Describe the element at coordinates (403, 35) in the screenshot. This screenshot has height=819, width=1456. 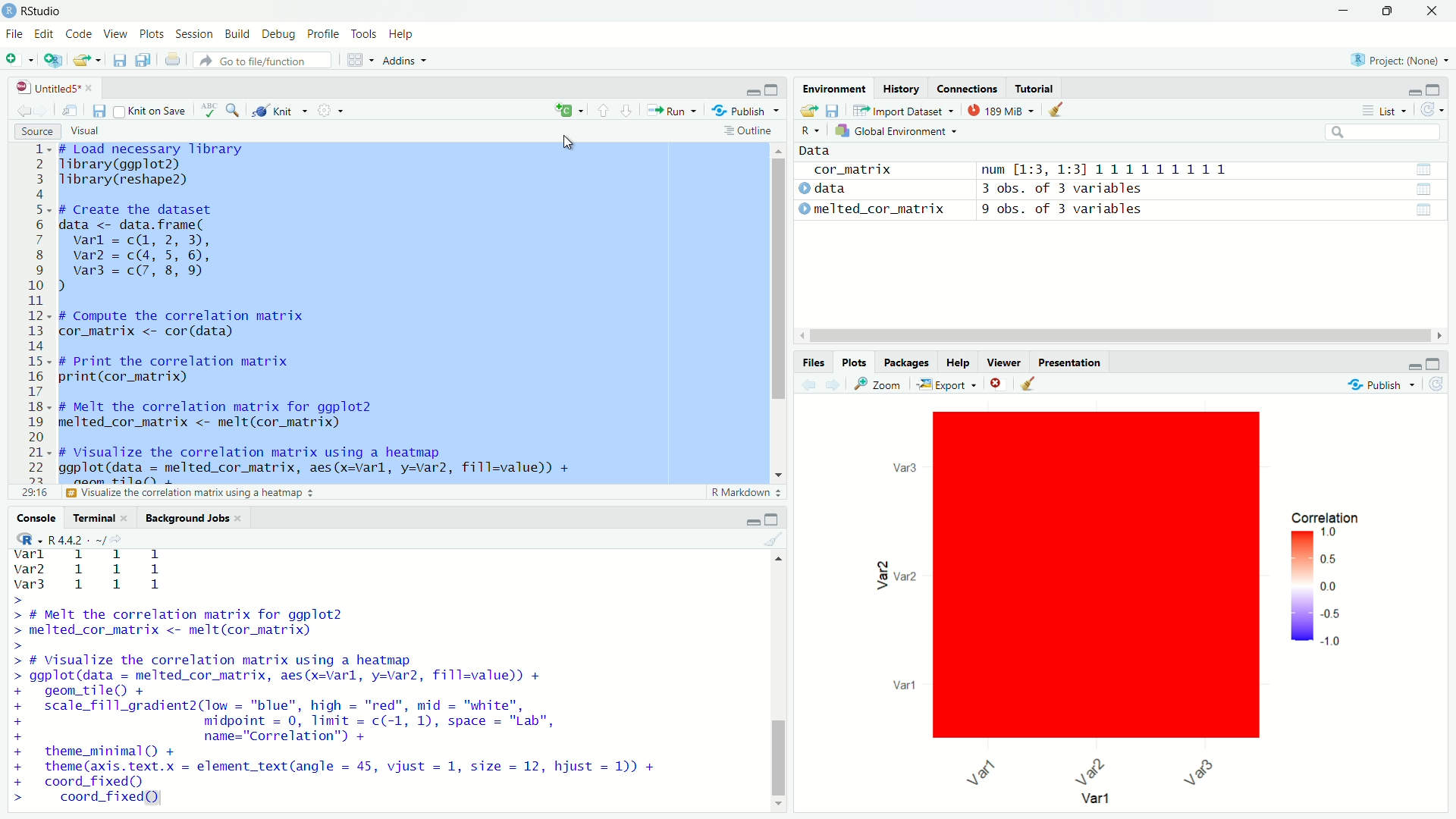
I see `help` at that location.